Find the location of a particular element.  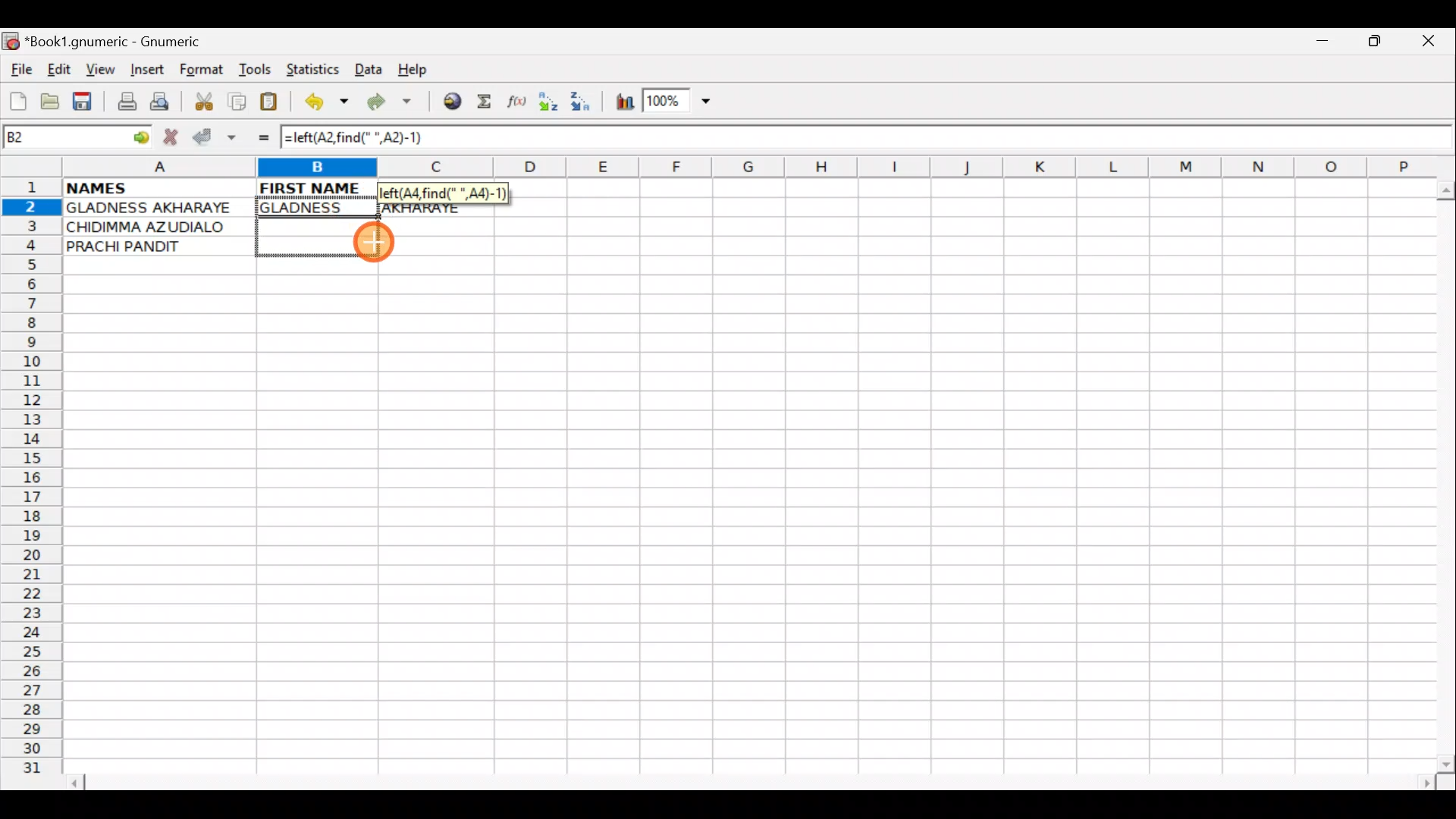

Scroll bar is located at coordinates (754, 780).